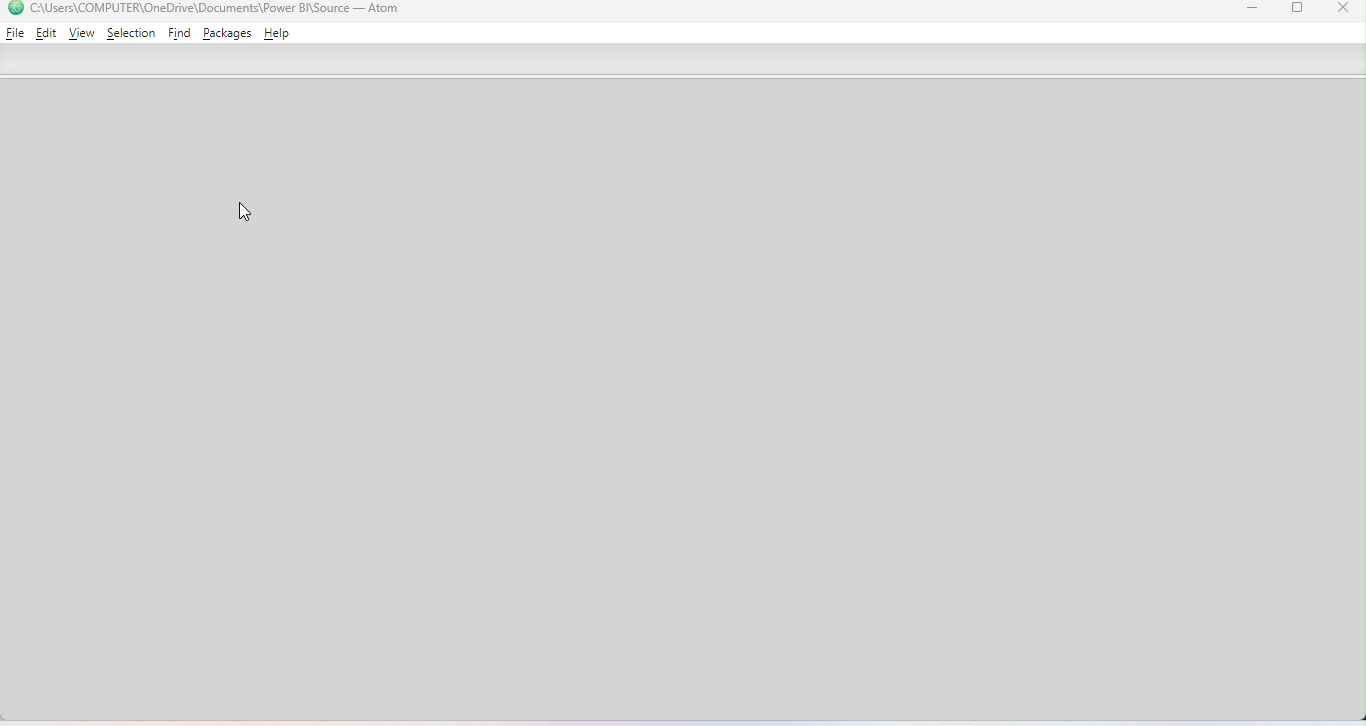 This screenshot has width=1366, height=726. I want to click on Selection, so click(131, 33).